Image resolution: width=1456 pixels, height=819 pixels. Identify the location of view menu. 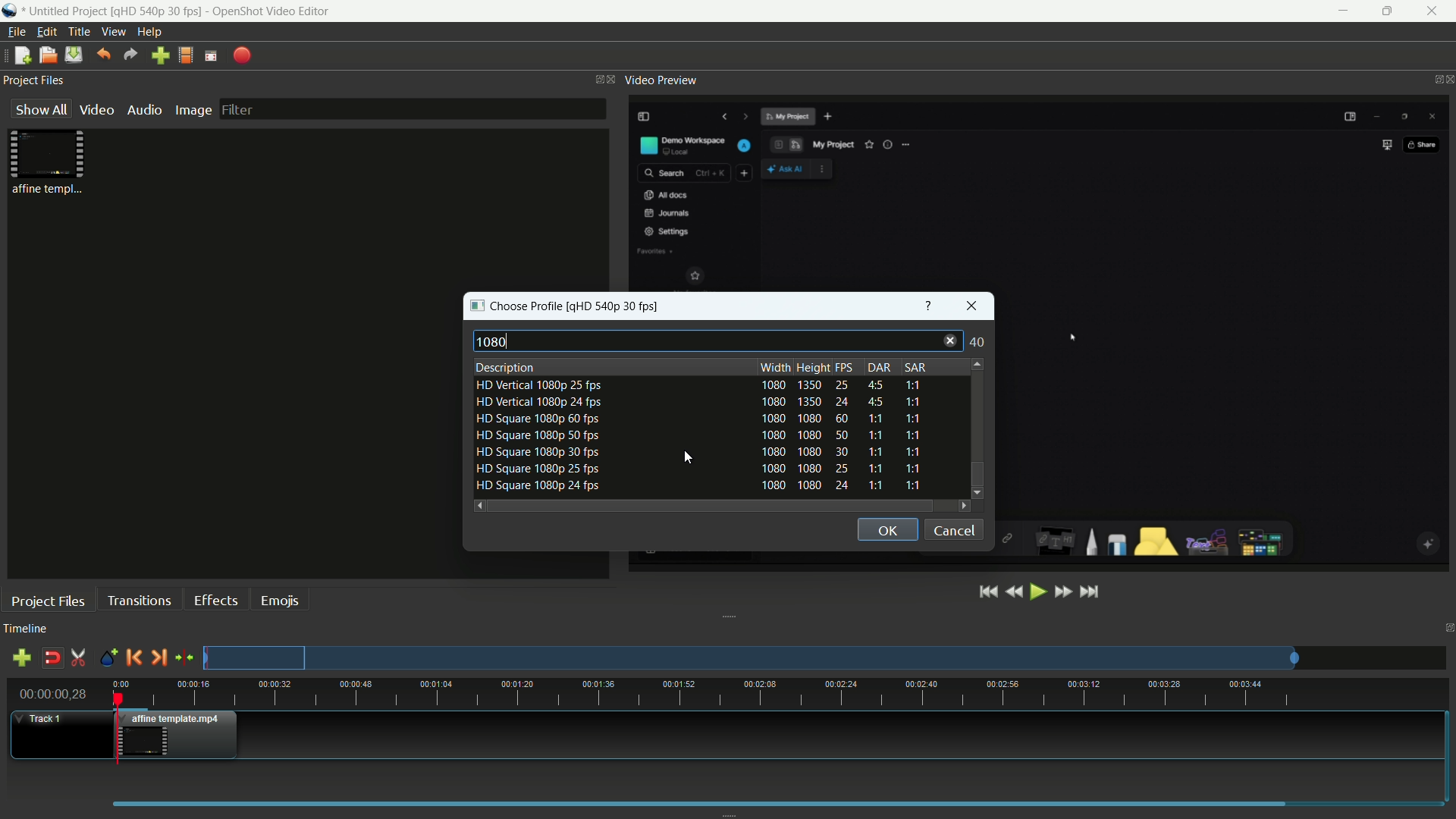
(114, 32).